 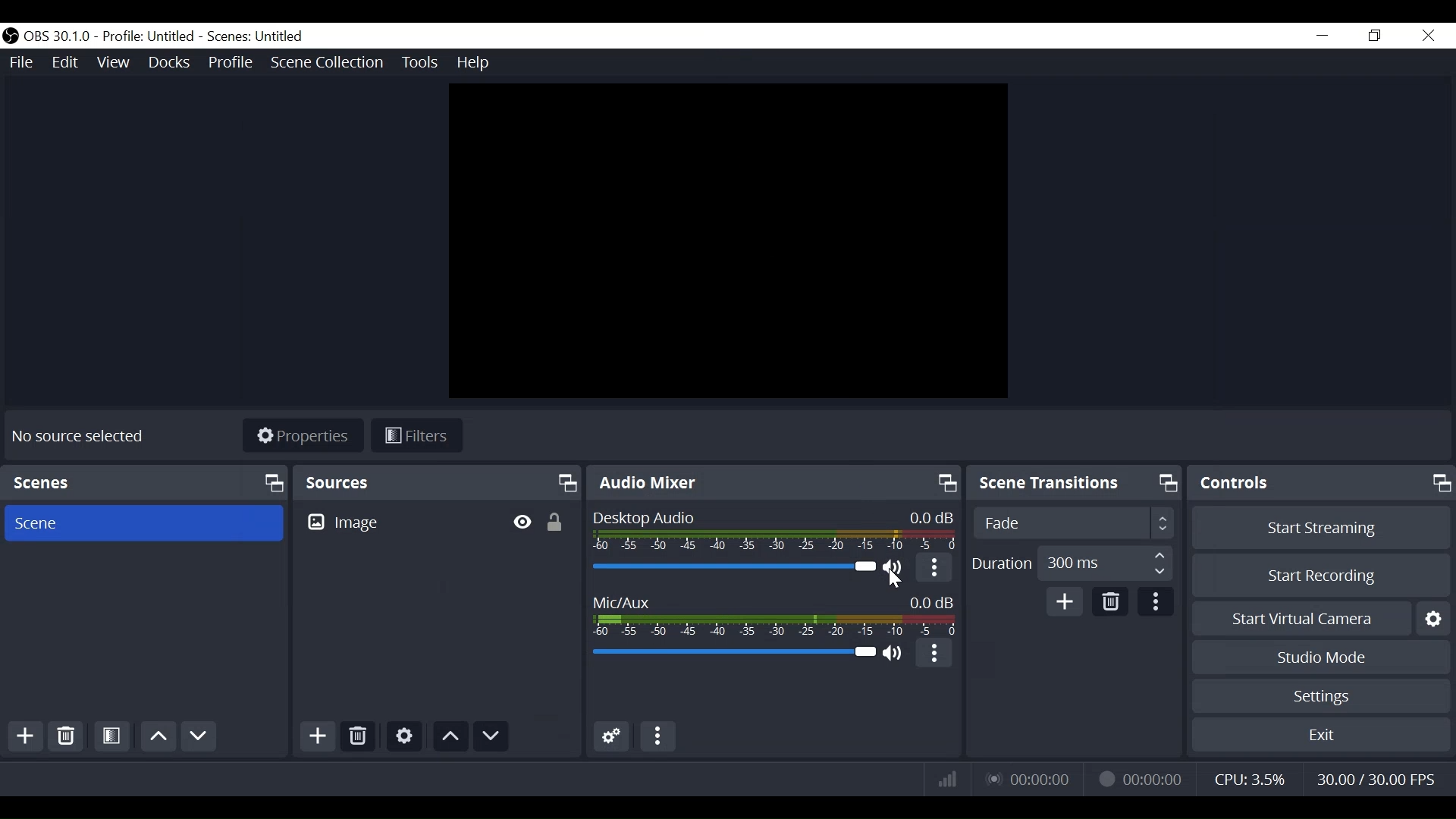 What do you see at coordinates (151, 36) in the screenshot?
I see `Profile Name` at bounding box center [151, 36].